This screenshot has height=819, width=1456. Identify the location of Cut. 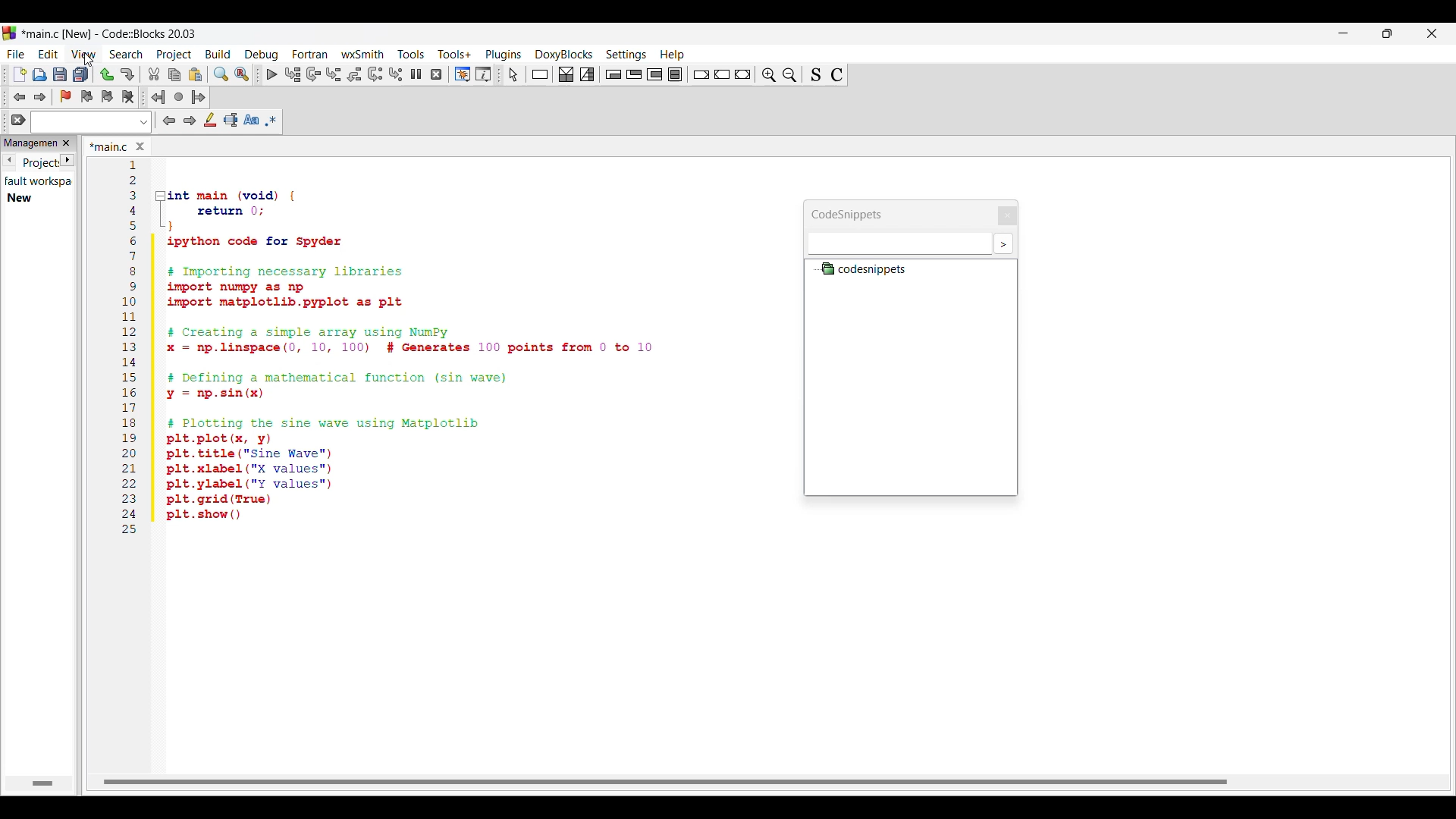
(154, 74).